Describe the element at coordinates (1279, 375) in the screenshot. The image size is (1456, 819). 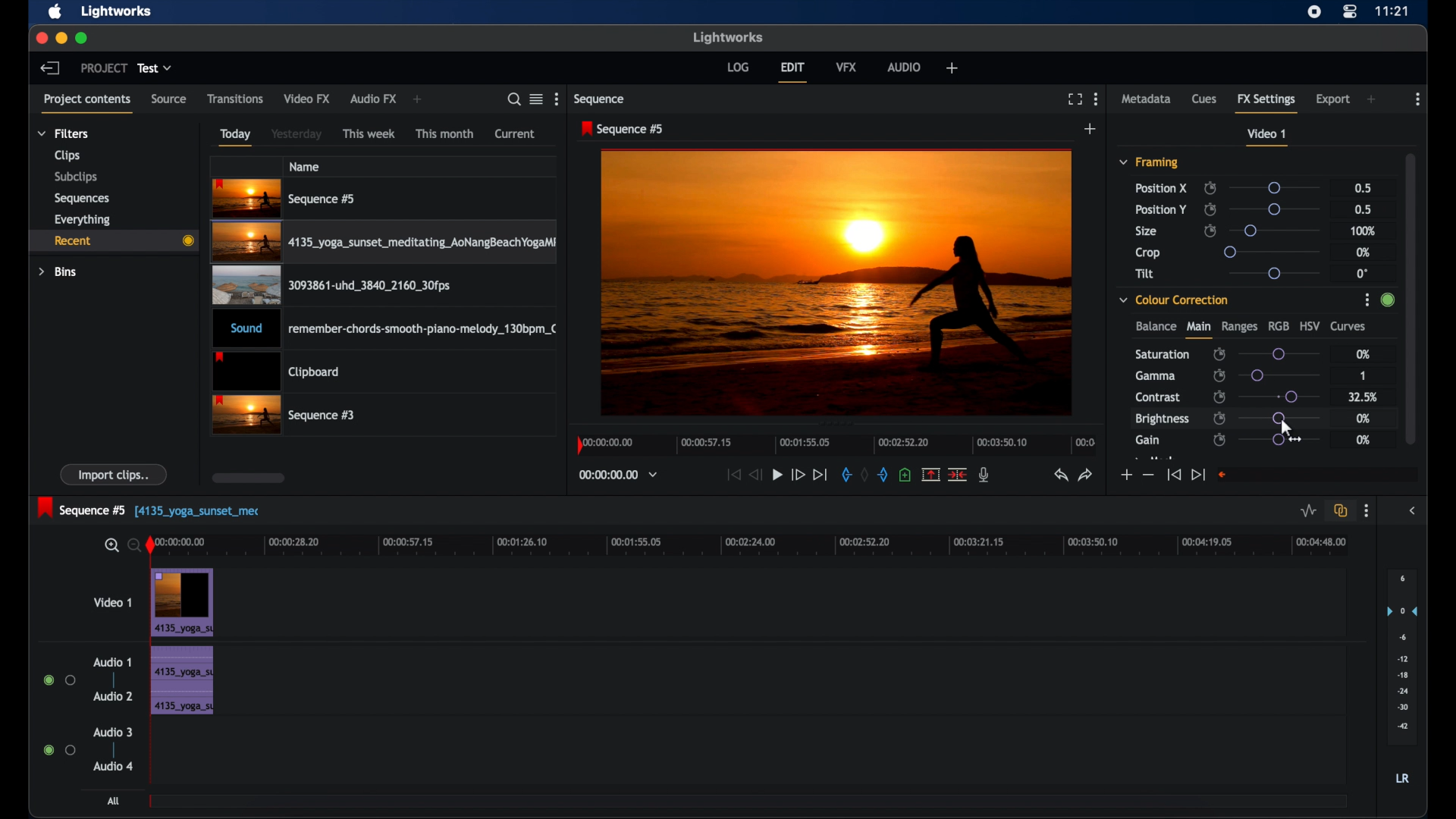
I see `slider` at that location.